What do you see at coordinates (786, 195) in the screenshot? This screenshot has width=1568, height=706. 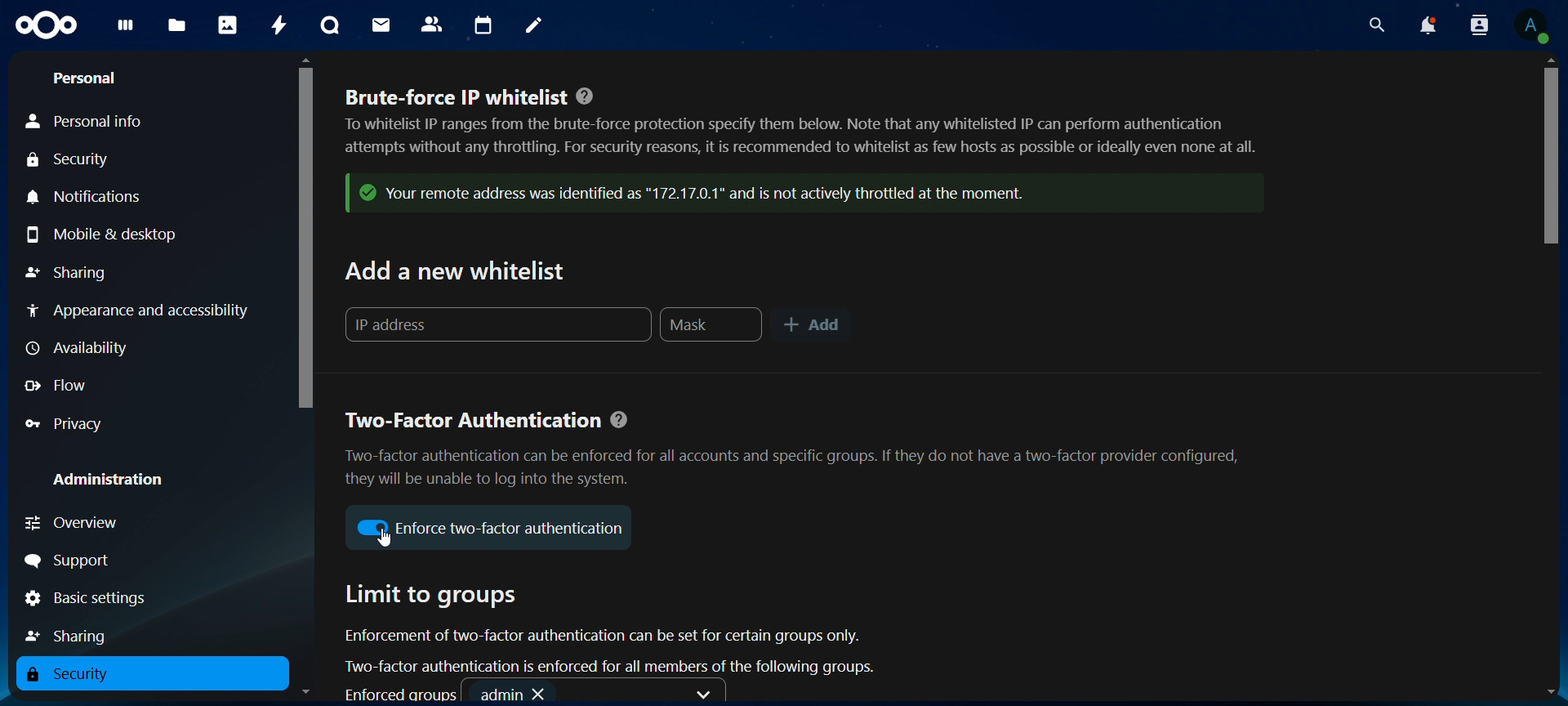 I see `icon` at bounding box center [786, 195].